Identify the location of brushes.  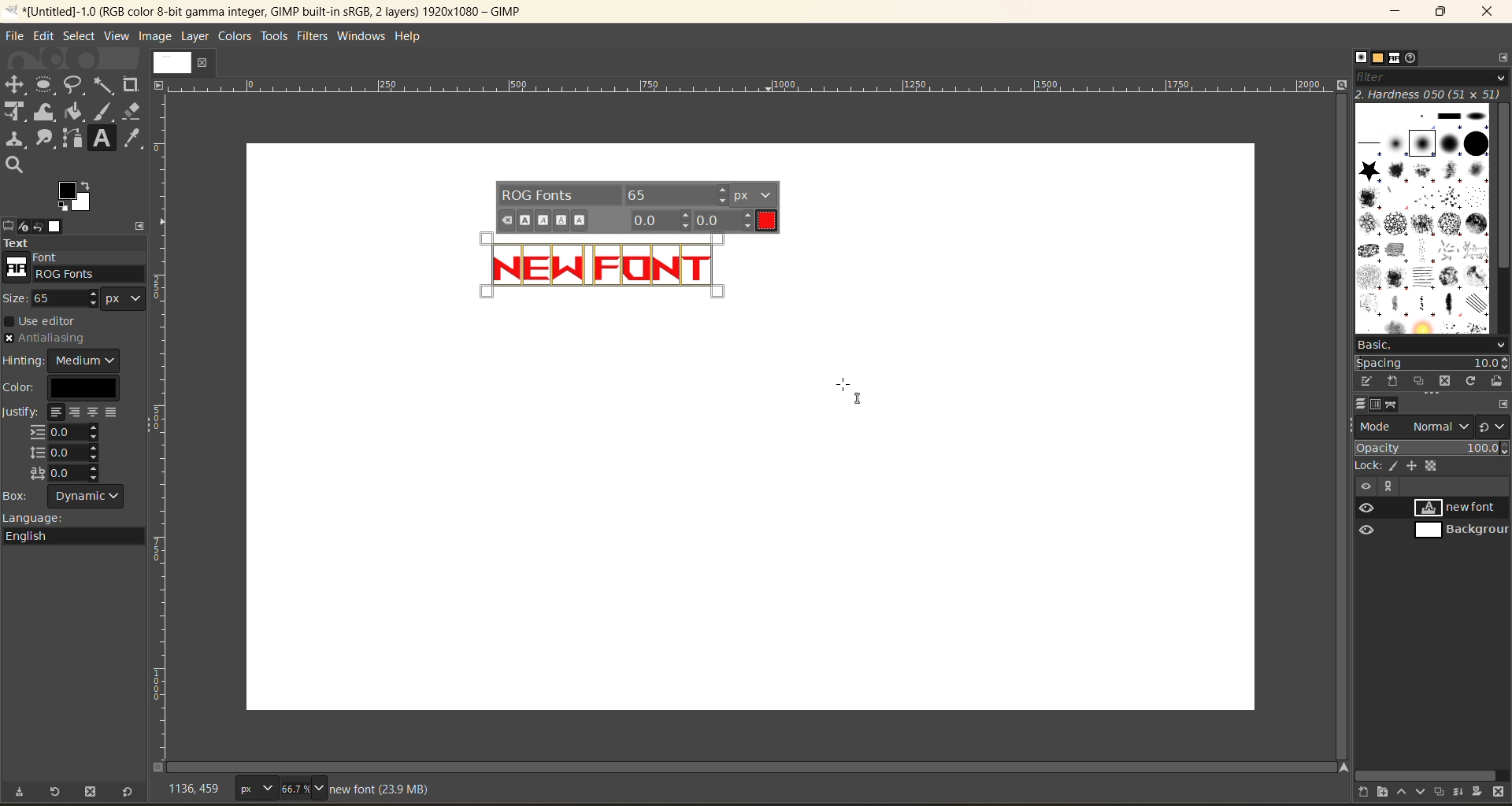
(1361, 57).